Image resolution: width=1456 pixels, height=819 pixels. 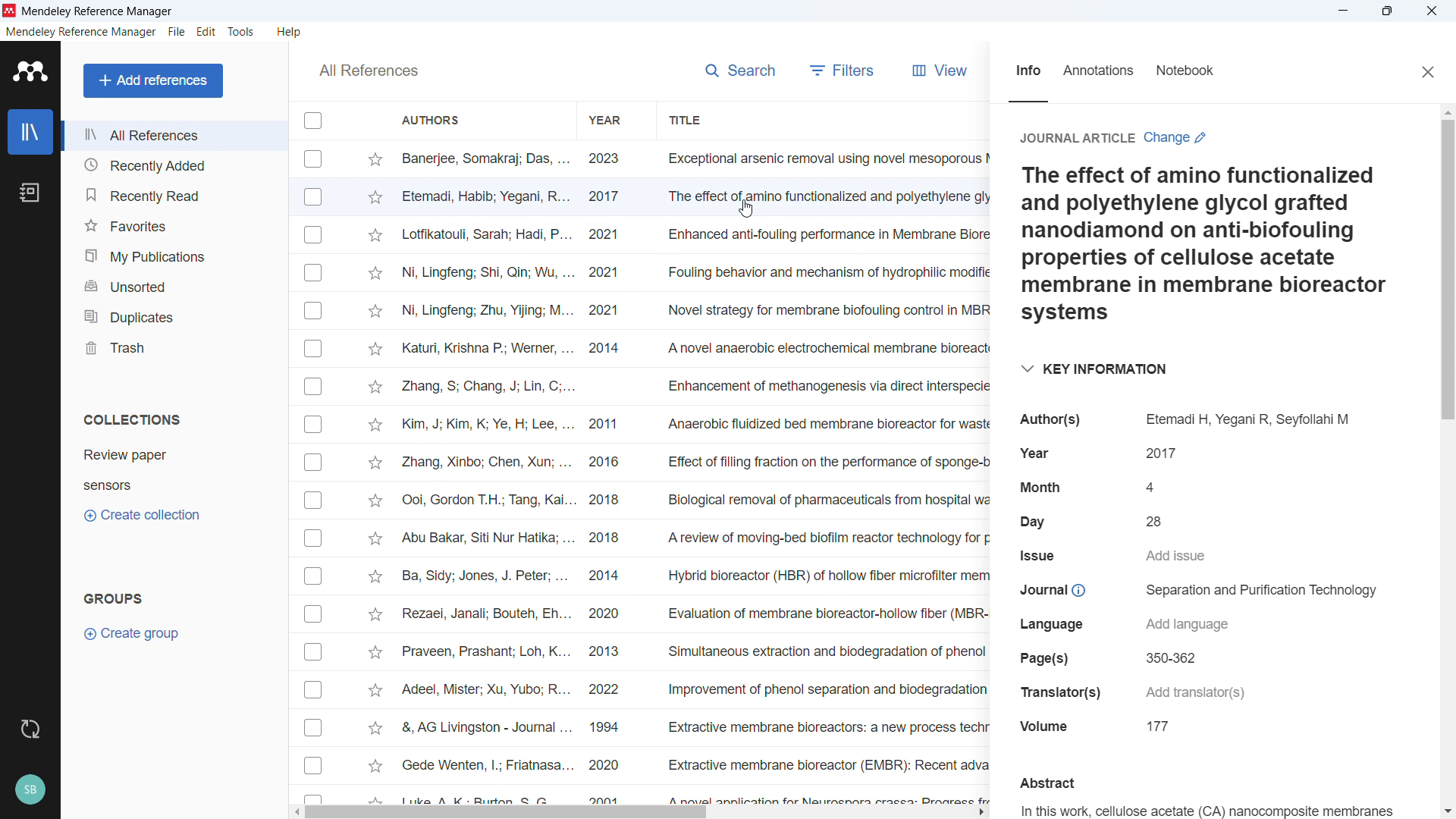 I want to click on Add references , so click(x=153, y=80).